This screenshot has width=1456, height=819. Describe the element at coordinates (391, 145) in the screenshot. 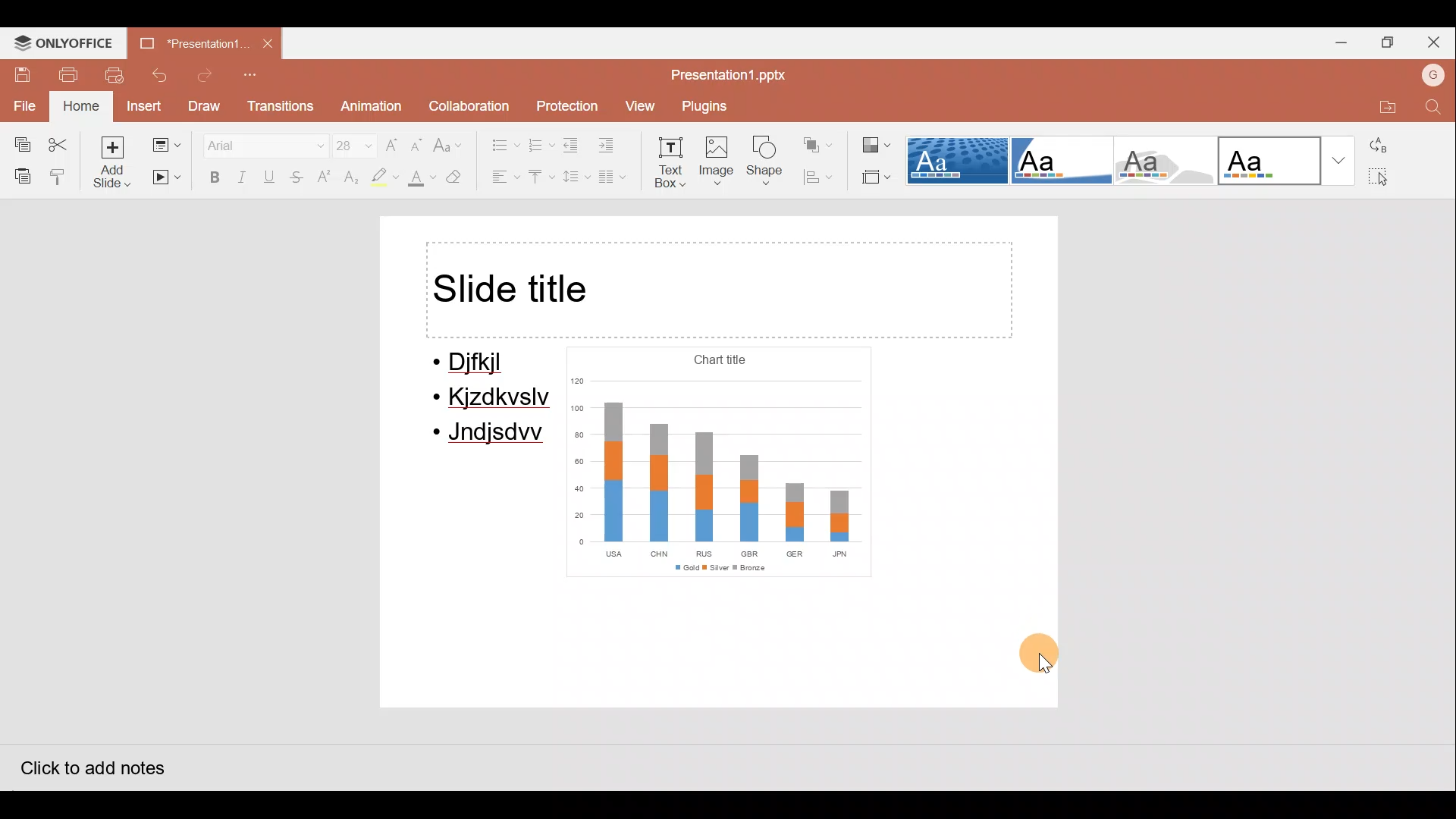

I see `Increase font size` at that location.